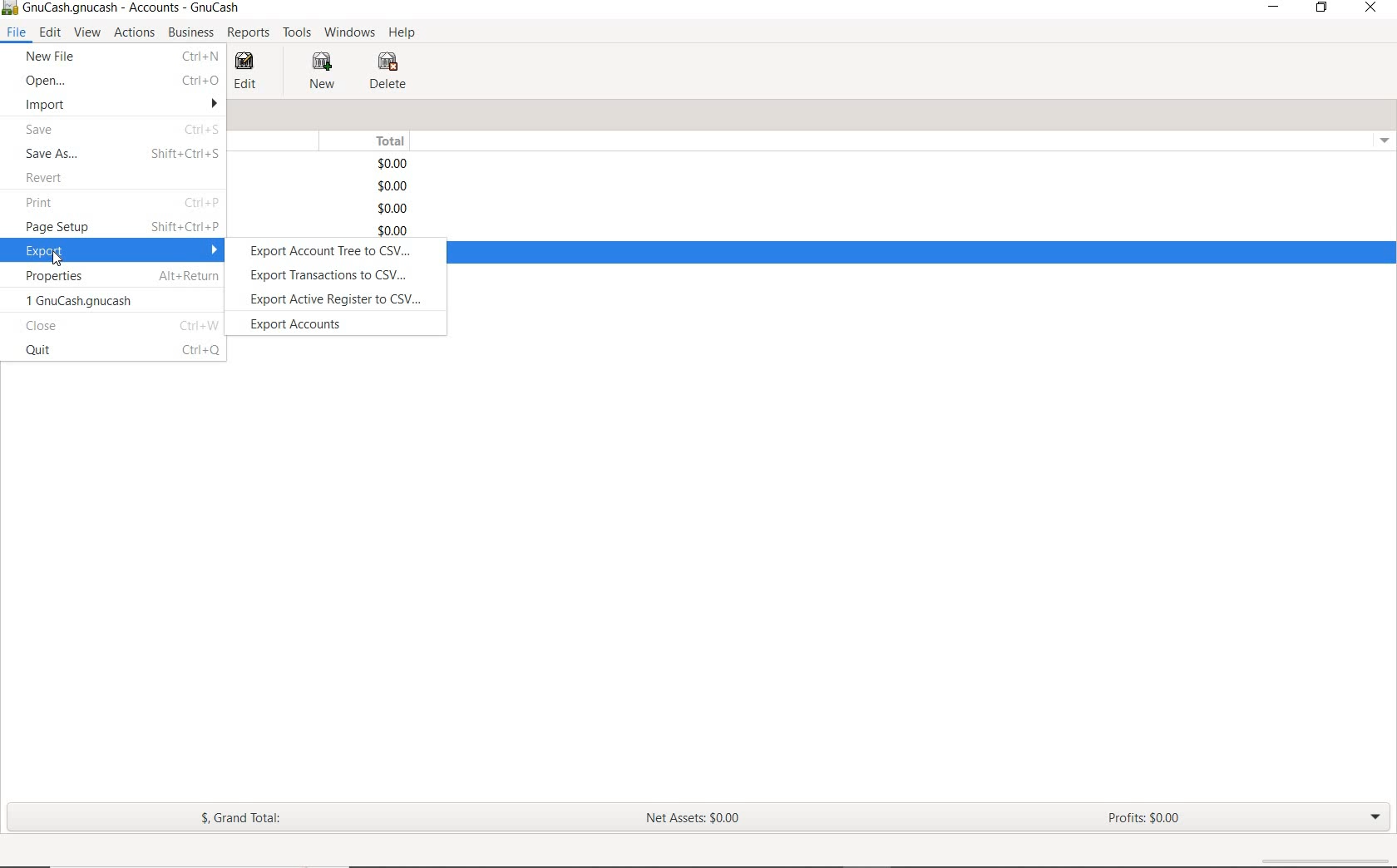  Describe the element at coordinates (392, 230) in the screenshot. I see `$0.00` at that location.